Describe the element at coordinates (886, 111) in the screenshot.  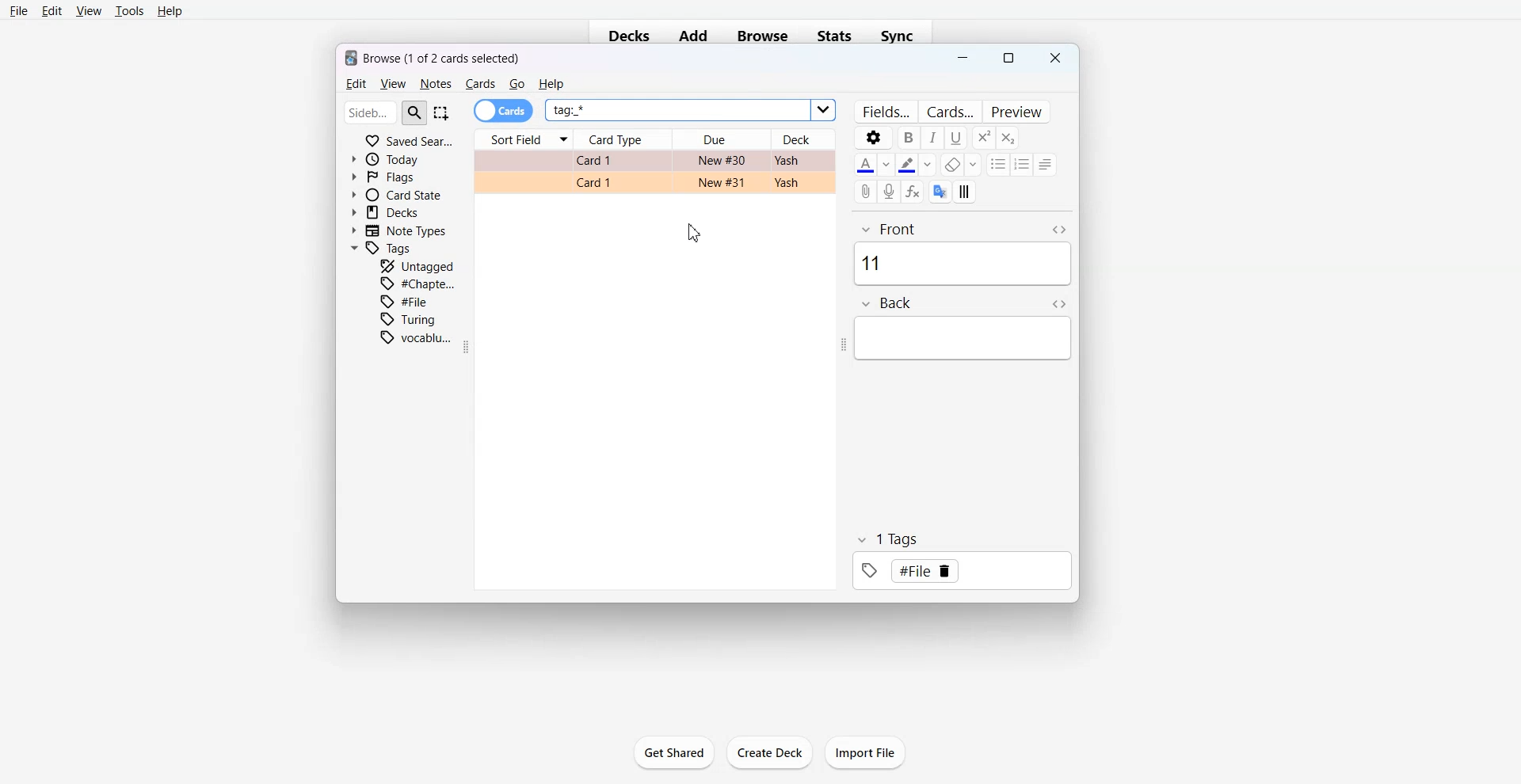
I see `Fields` at that location.